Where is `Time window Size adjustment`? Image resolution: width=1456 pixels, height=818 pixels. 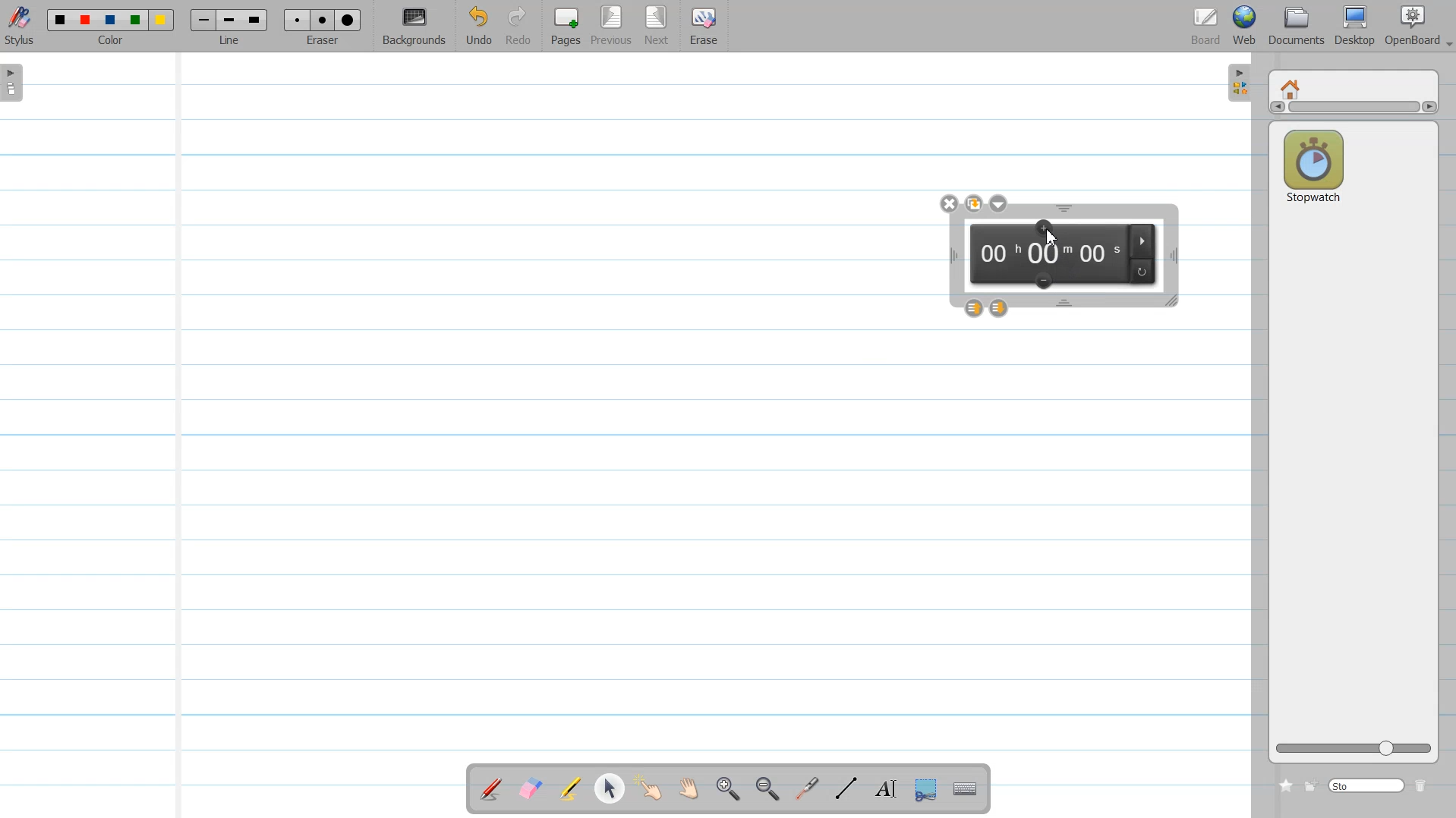 Time window Size adjustment is located at coordinates (1173, 302).